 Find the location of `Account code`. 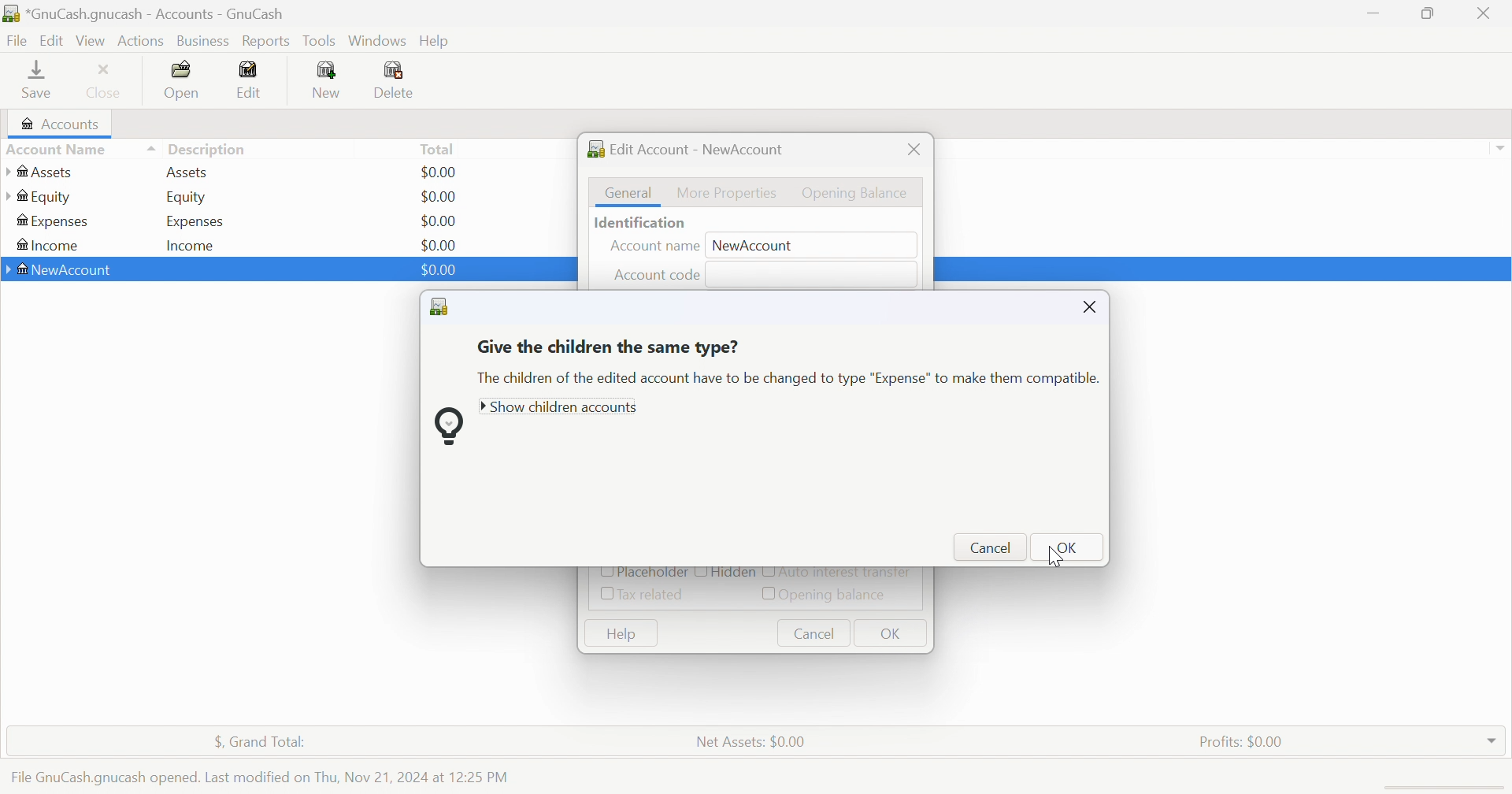

Account code is located at coordinates (660, 273).